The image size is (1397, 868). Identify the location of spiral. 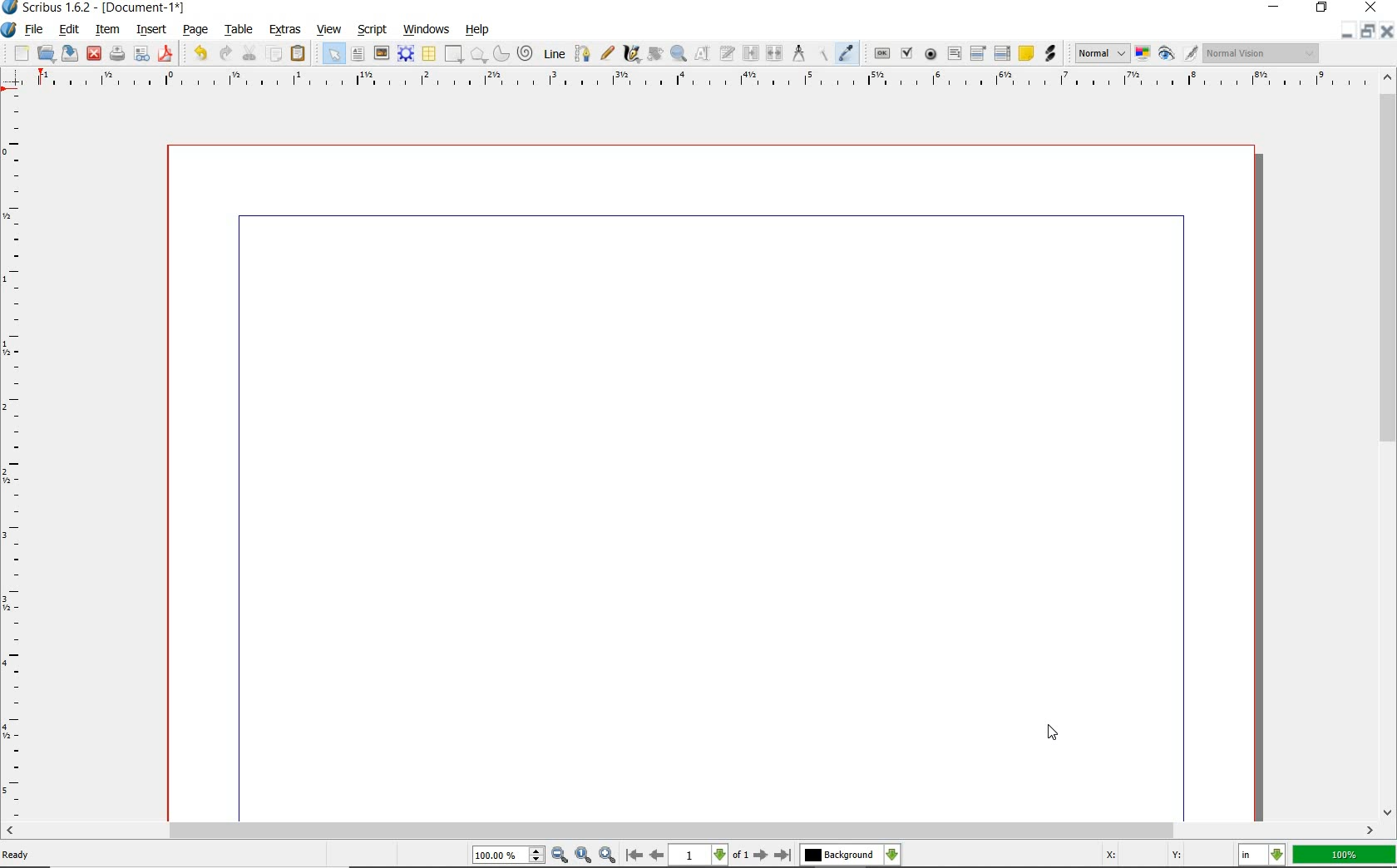
(526, 52).